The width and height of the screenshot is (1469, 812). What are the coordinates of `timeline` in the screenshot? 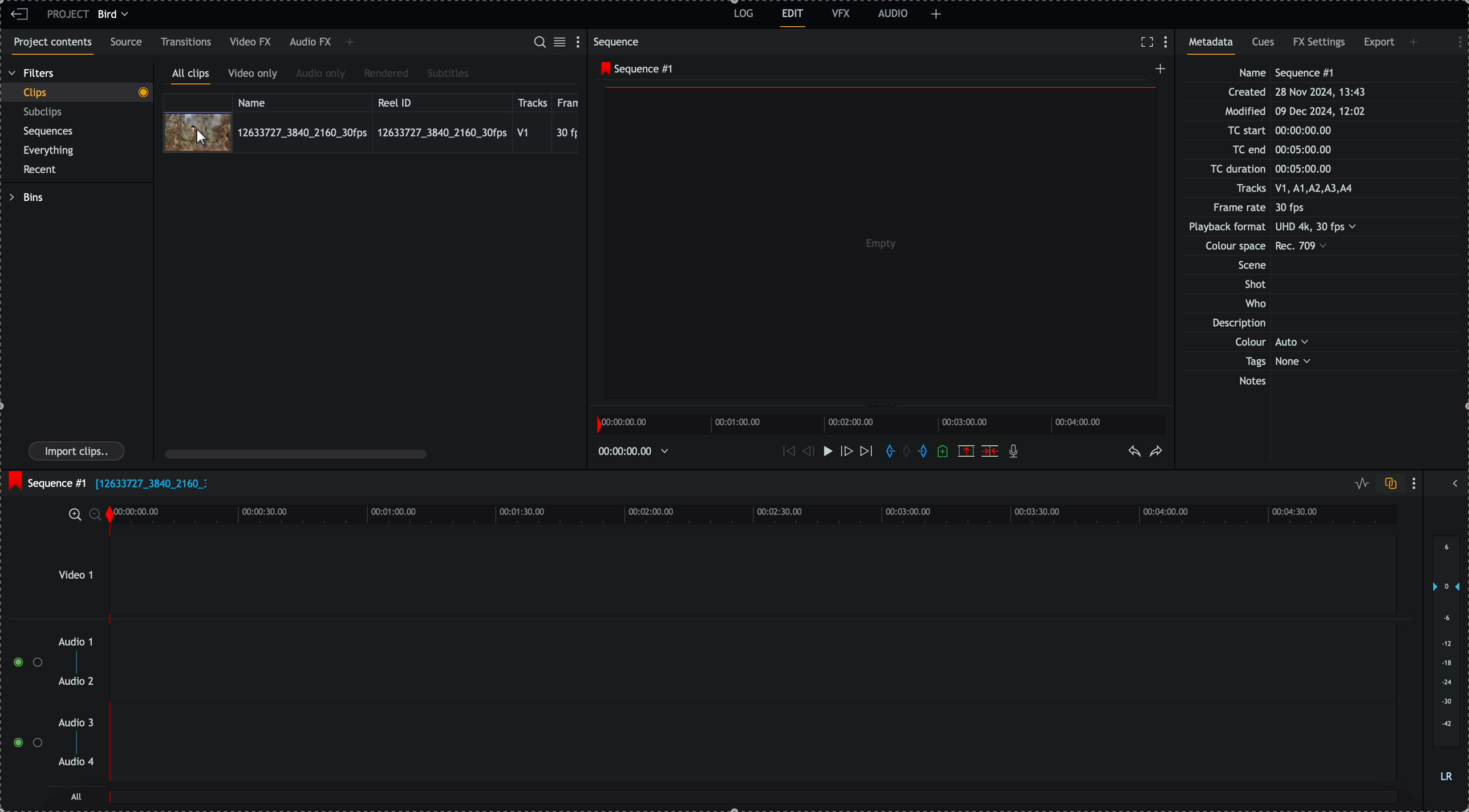 It's located at (751, 513).